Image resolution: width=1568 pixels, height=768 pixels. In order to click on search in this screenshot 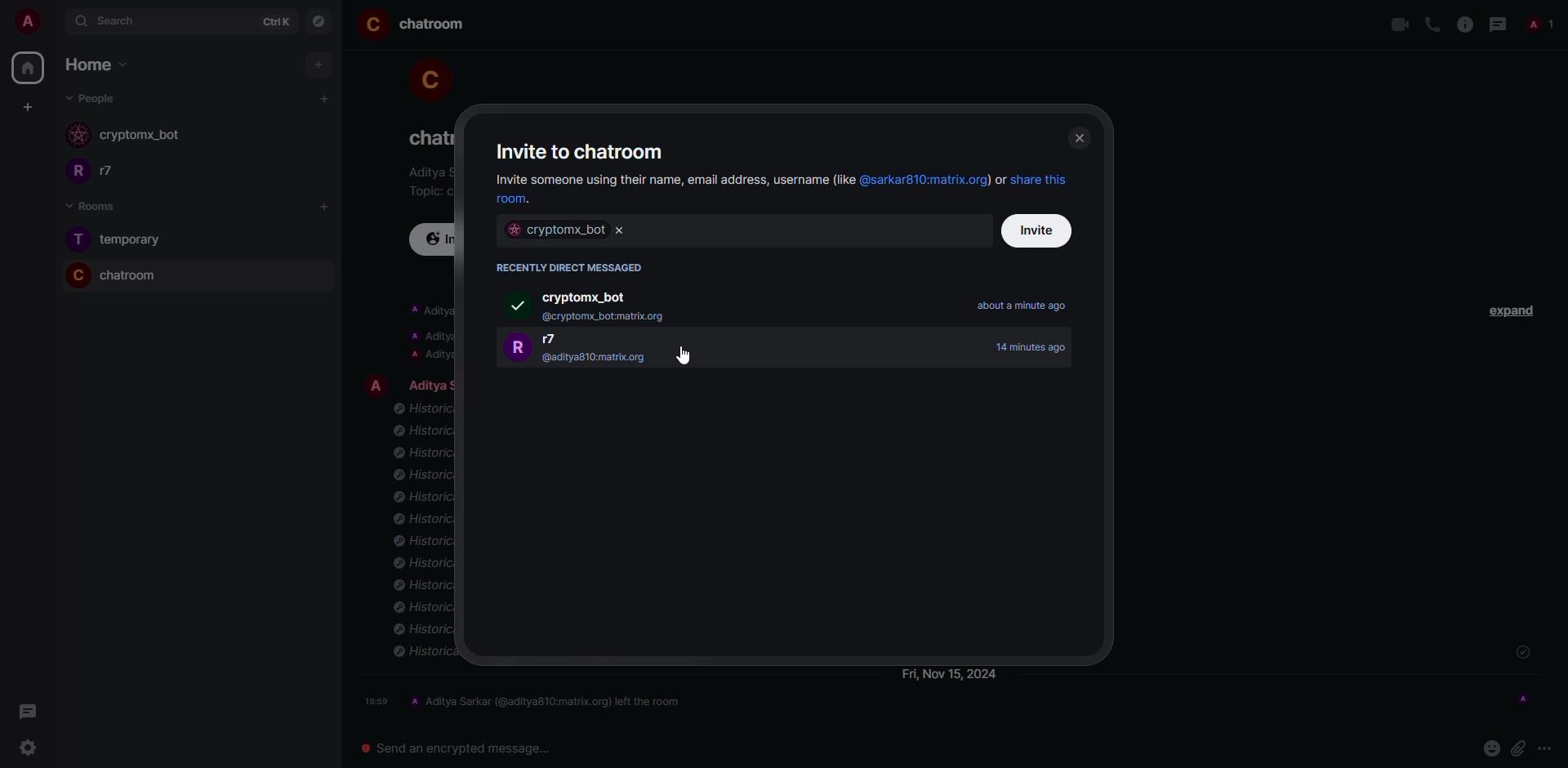, I will do `click(122, 21)`.